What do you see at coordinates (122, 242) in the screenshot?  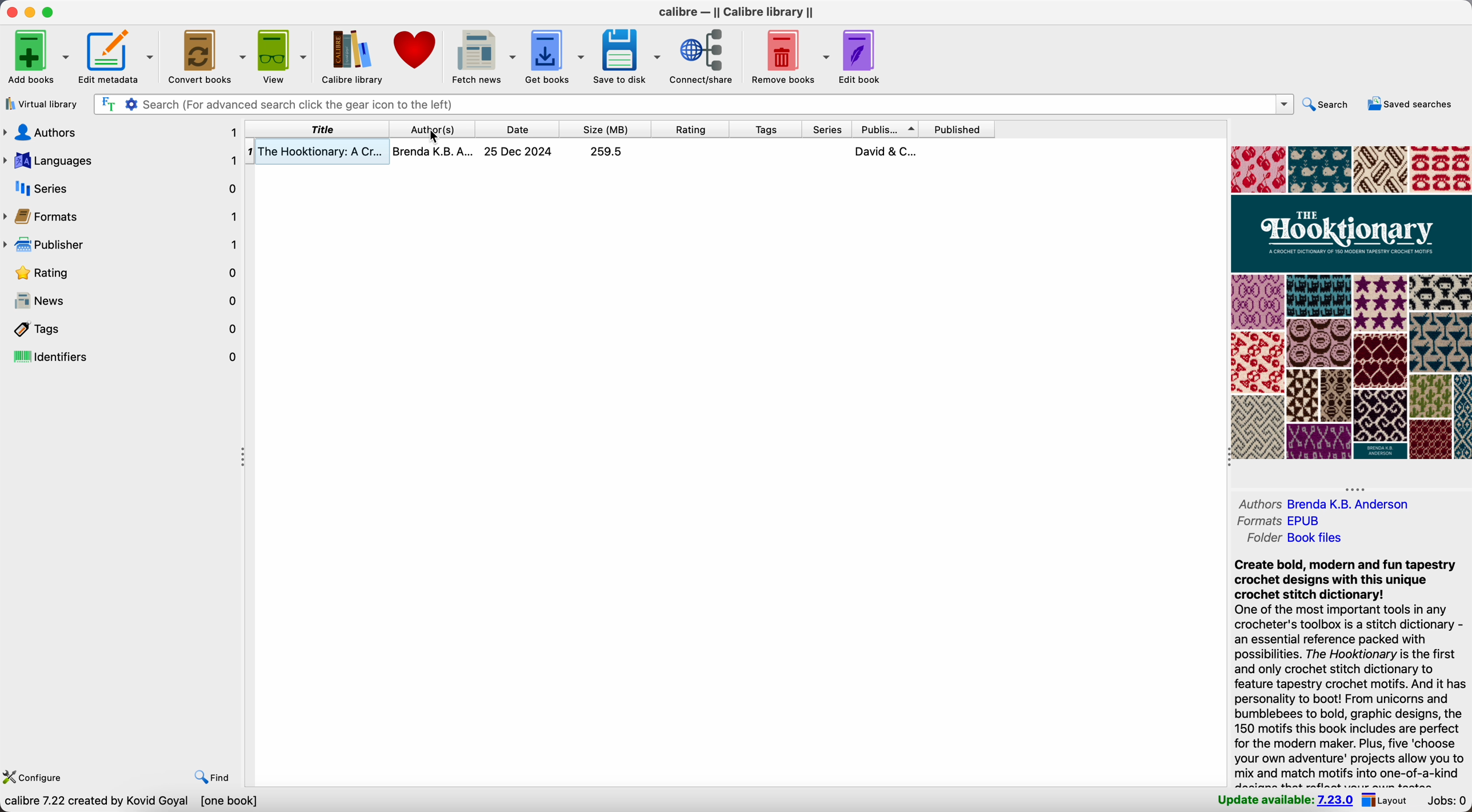 I see `publisher` at bounding box center [122, 242].